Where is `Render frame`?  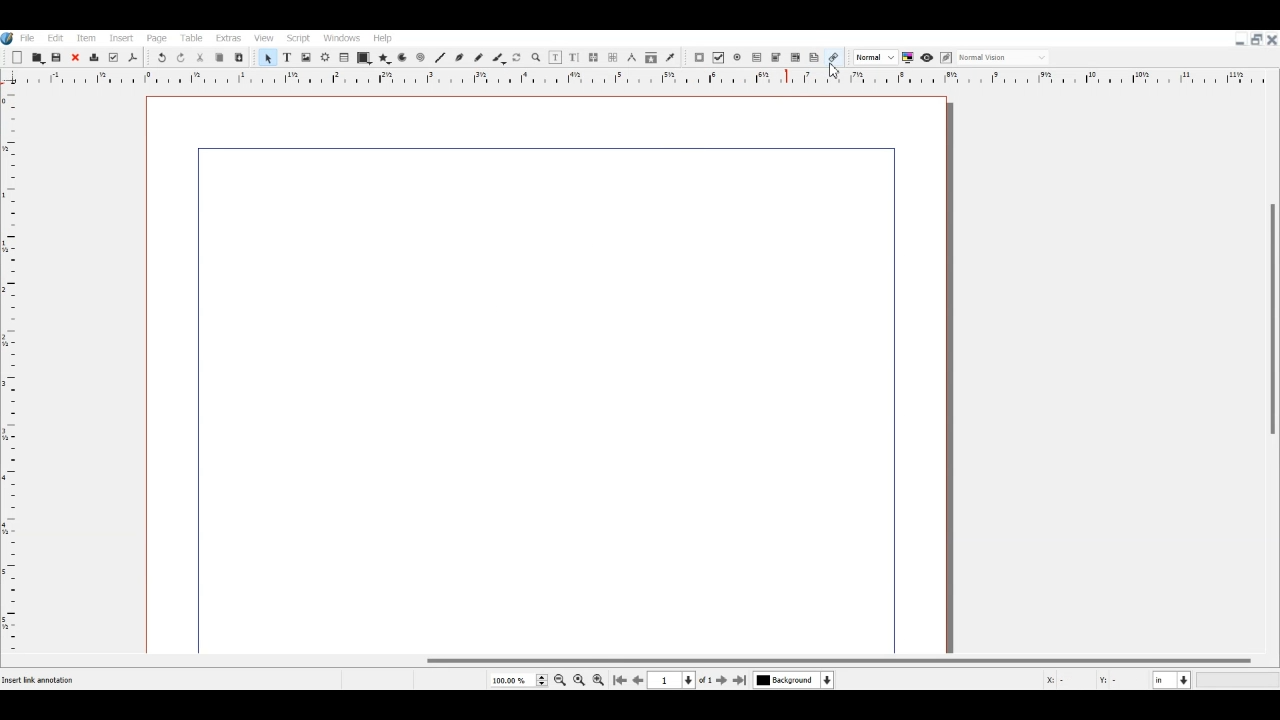
Render frame is located at coordinates (326, 57).